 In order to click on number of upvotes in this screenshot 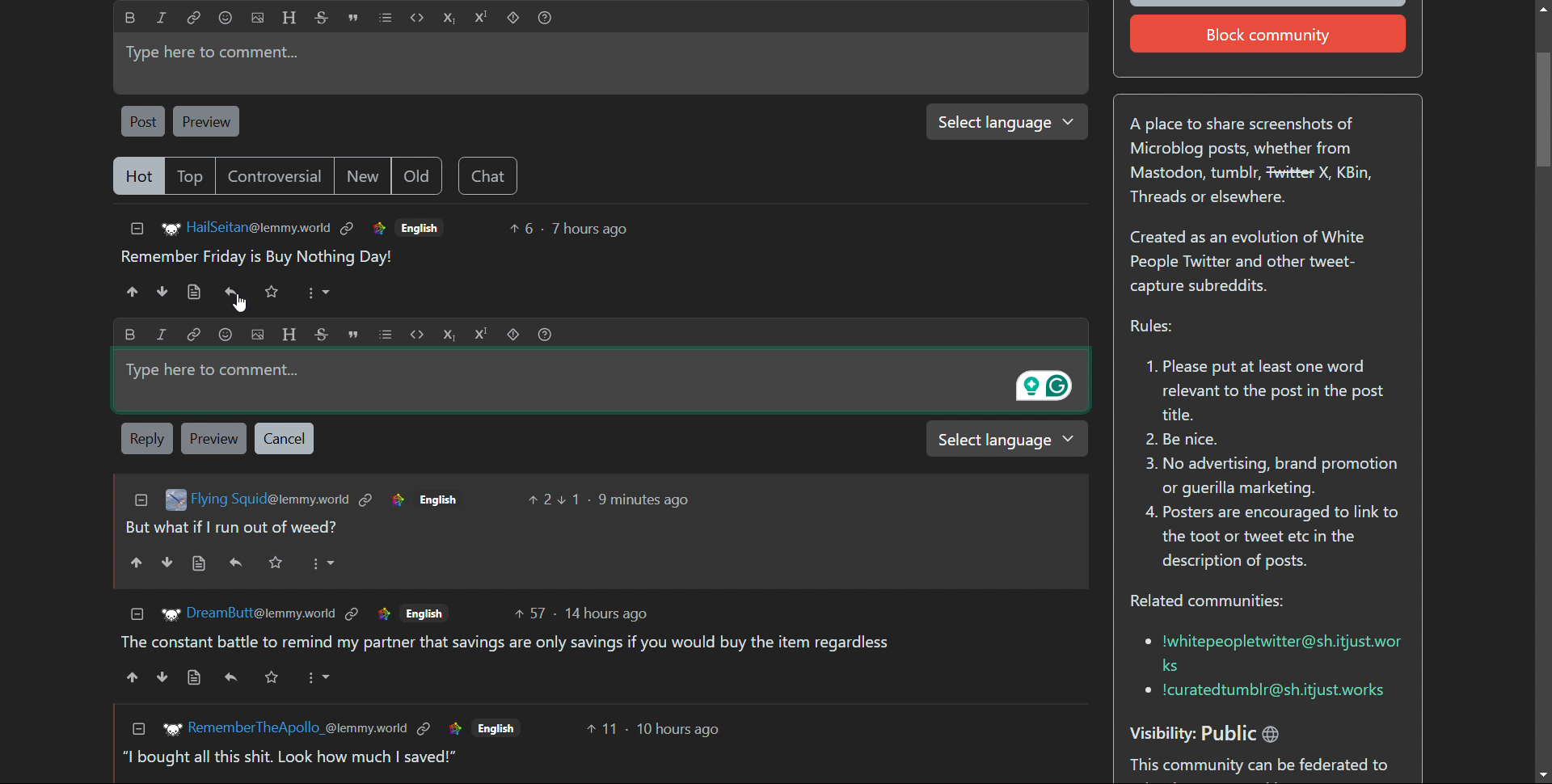, I will do `click(598, 734)`.